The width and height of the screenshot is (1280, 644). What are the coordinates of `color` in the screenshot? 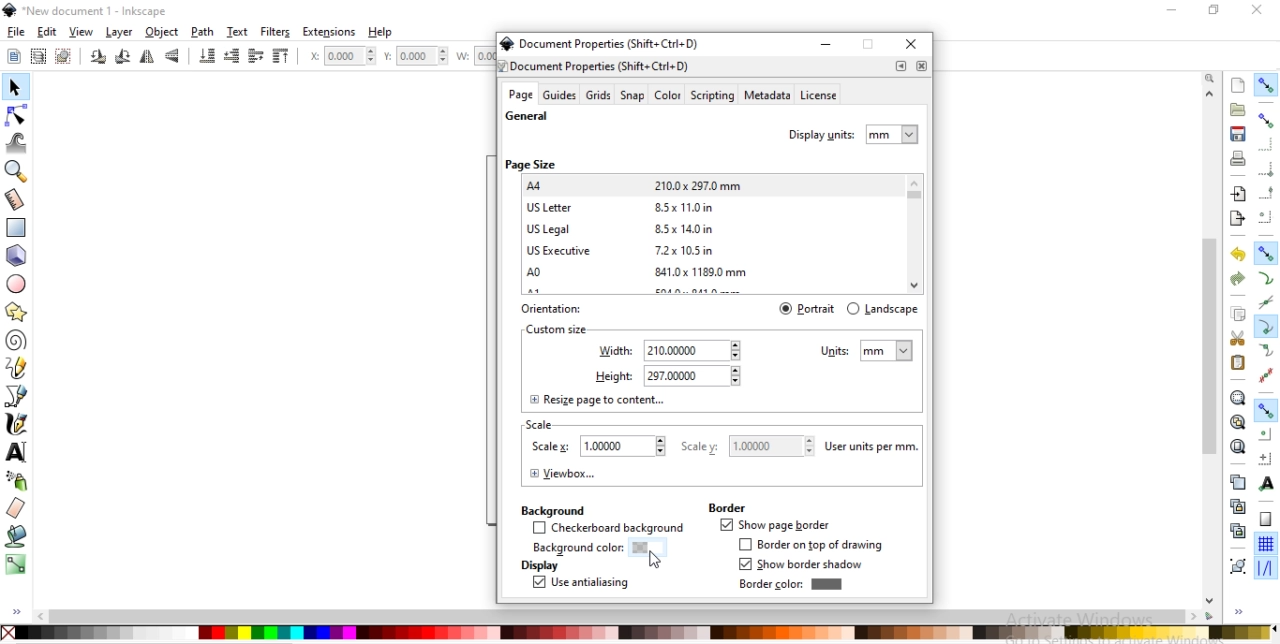 It's located at (667, 97).